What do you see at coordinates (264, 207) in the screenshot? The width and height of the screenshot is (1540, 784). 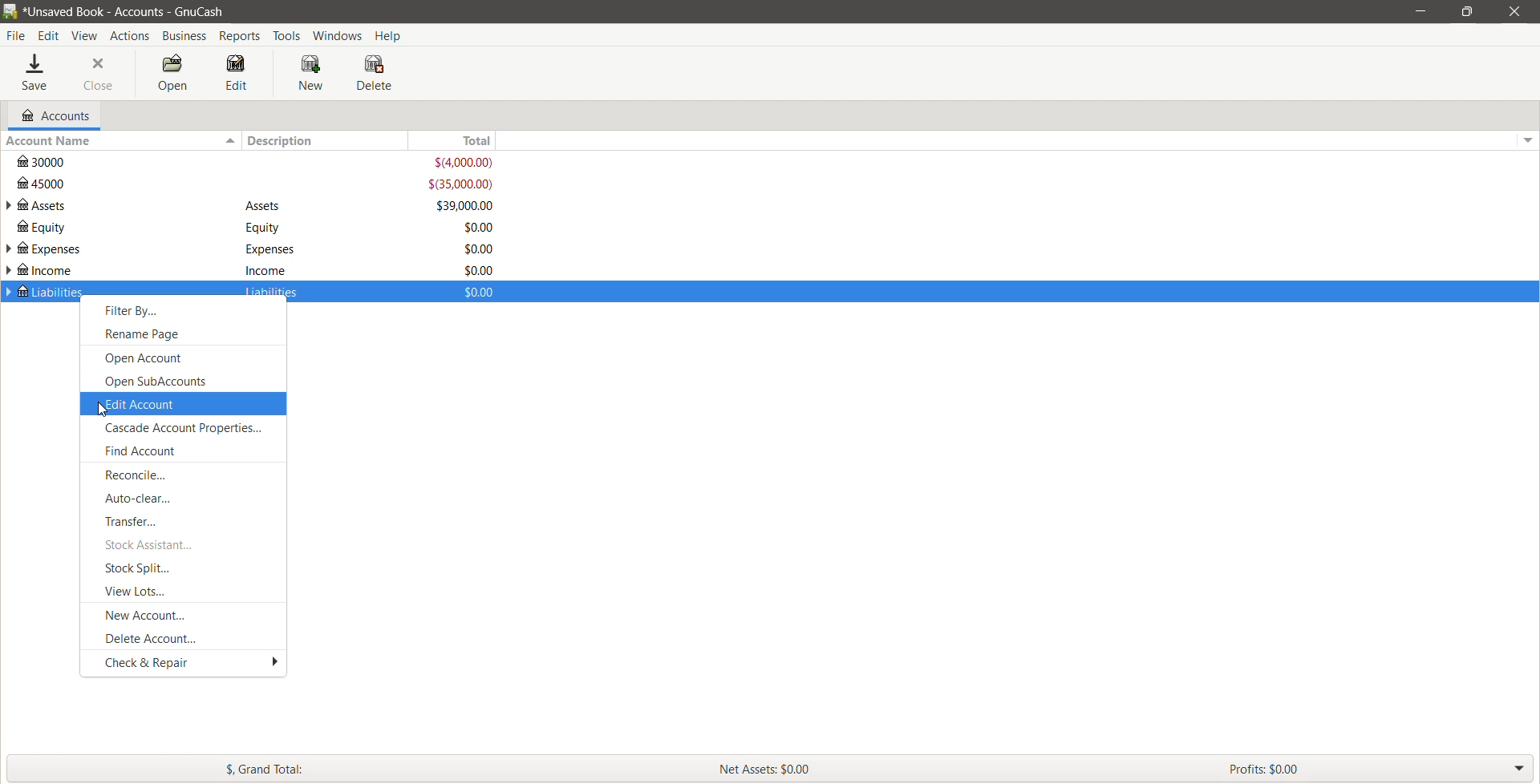 I see `details of the account "Assets"` at bounding box center [264, 207].